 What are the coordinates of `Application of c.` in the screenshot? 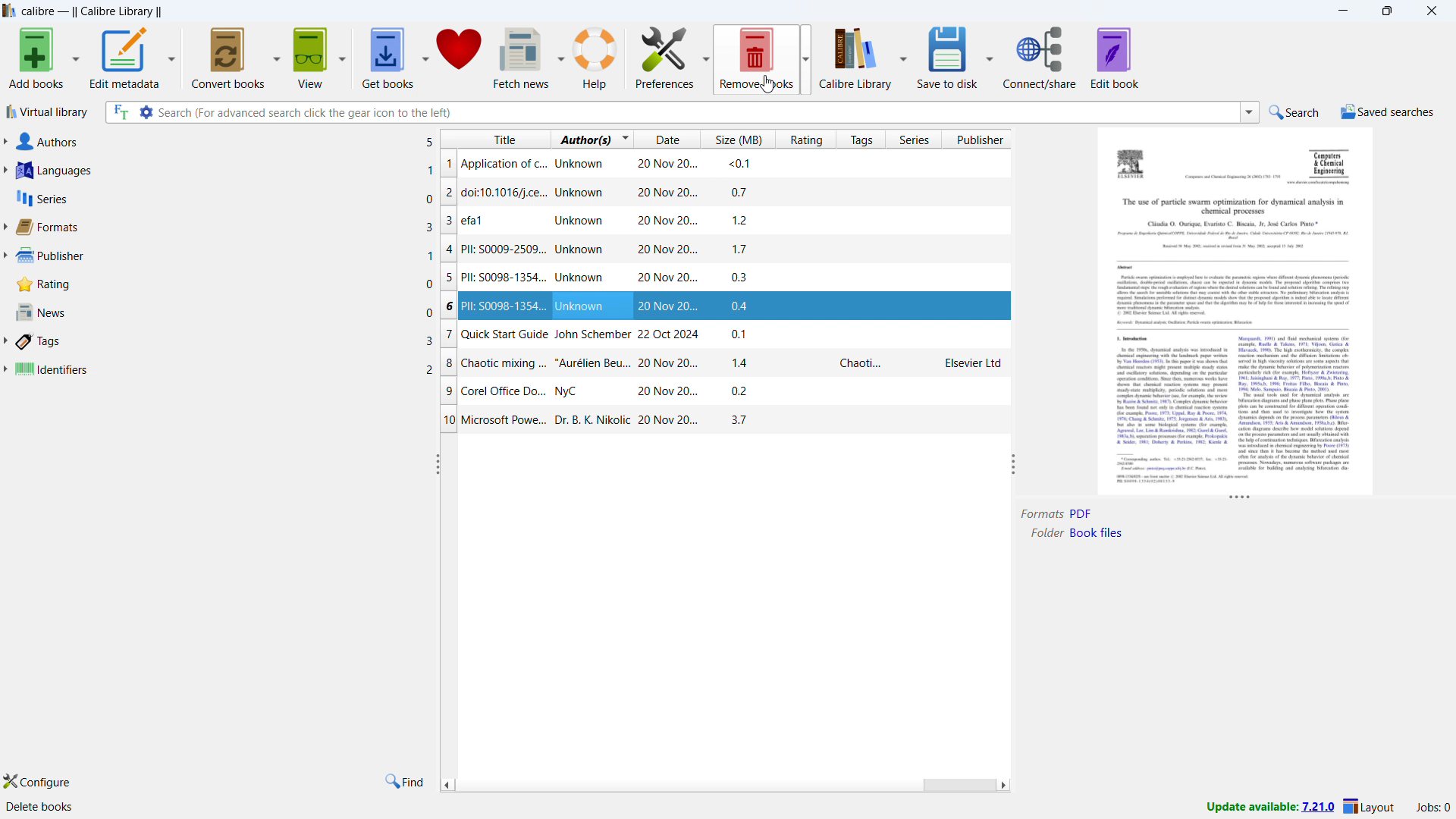 It's located at (698, 164).